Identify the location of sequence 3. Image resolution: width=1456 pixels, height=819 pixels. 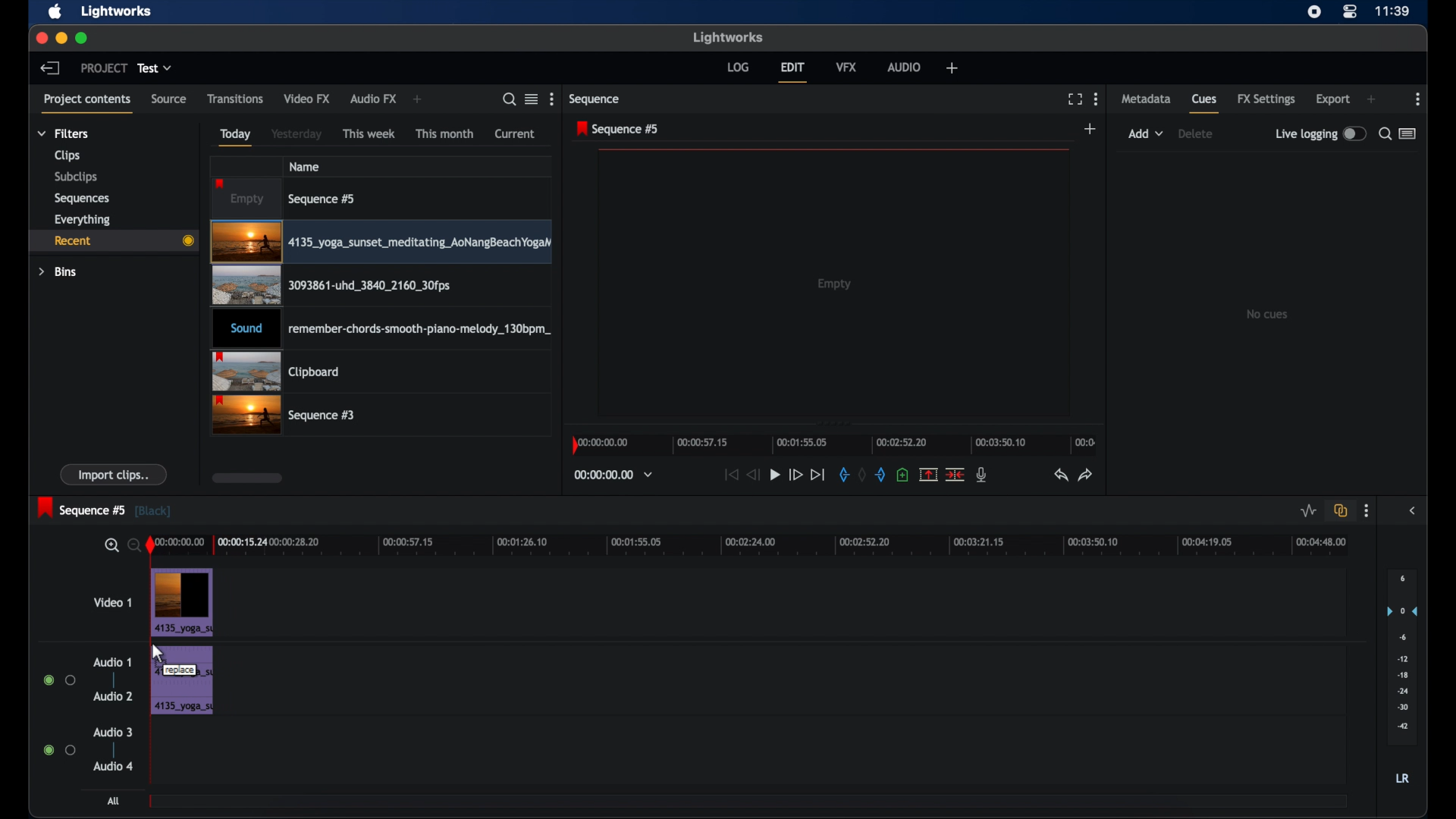
(285, 416).